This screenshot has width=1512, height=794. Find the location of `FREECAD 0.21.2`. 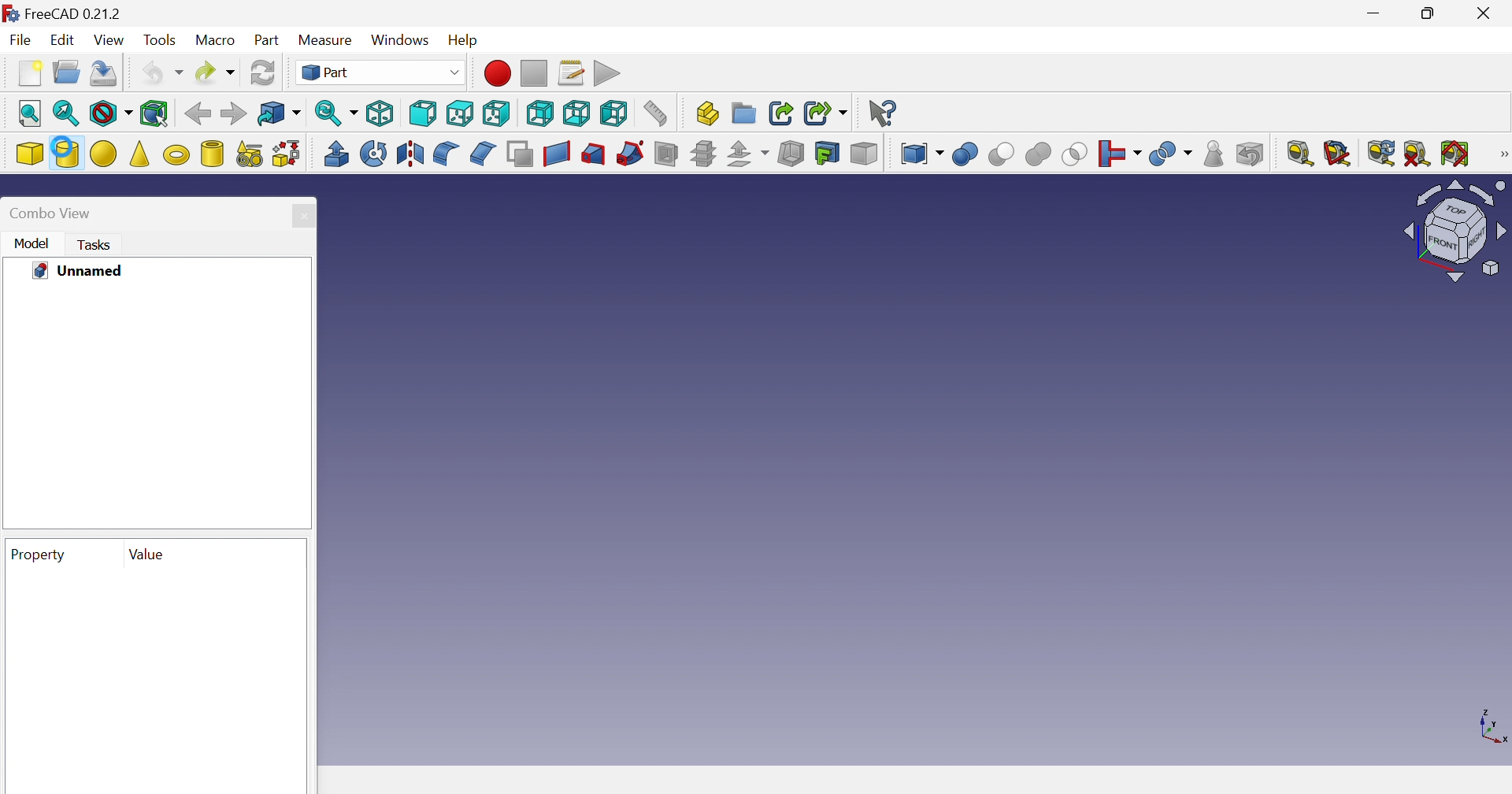

FREECAD 0.21.2 is located at coordinates (63, 11).